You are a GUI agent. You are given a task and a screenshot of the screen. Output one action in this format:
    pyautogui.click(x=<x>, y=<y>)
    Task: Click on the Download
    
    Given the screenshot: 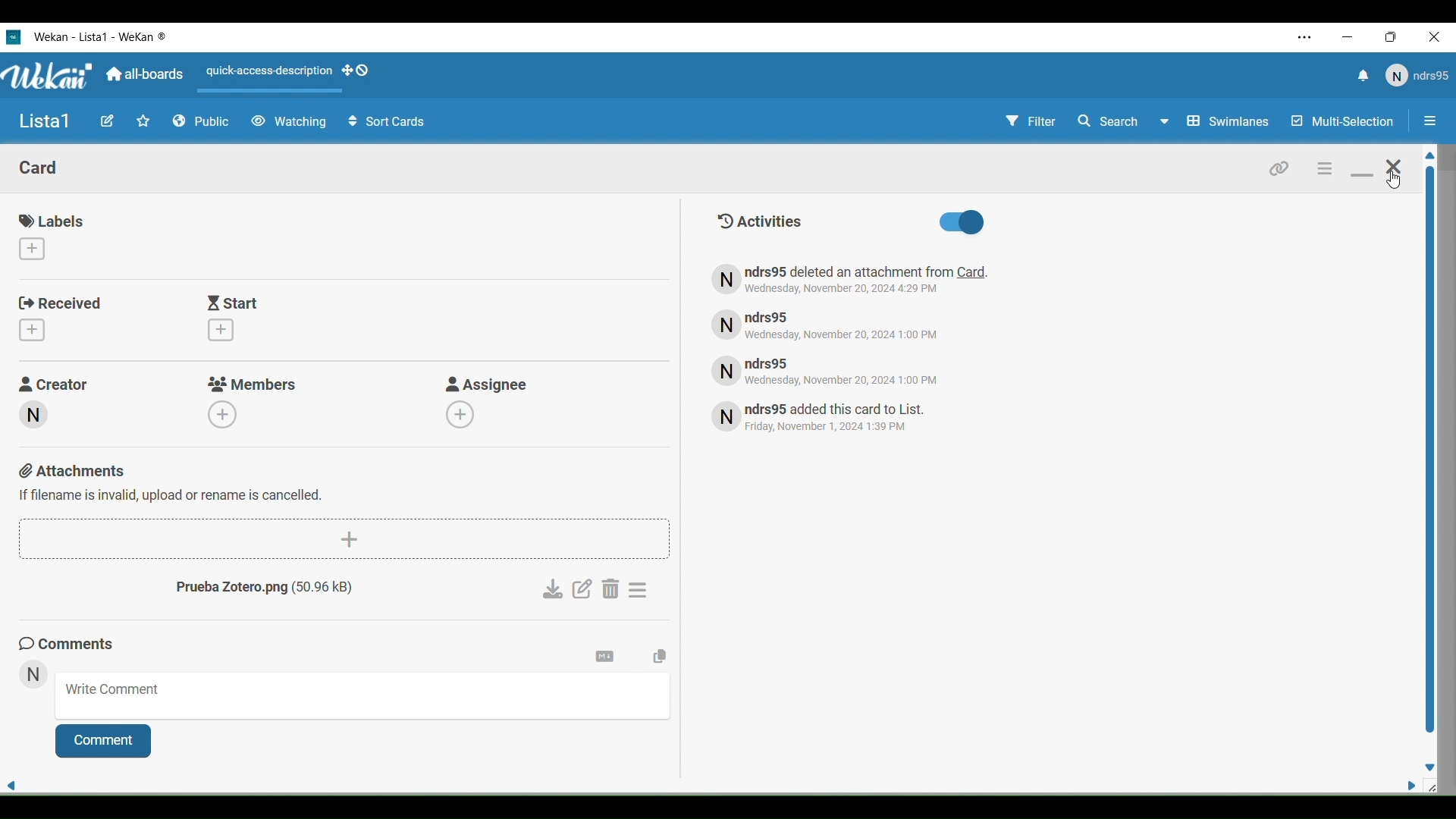 What is the action you would take?
    pyautogui.click(x=546, y=589)
    